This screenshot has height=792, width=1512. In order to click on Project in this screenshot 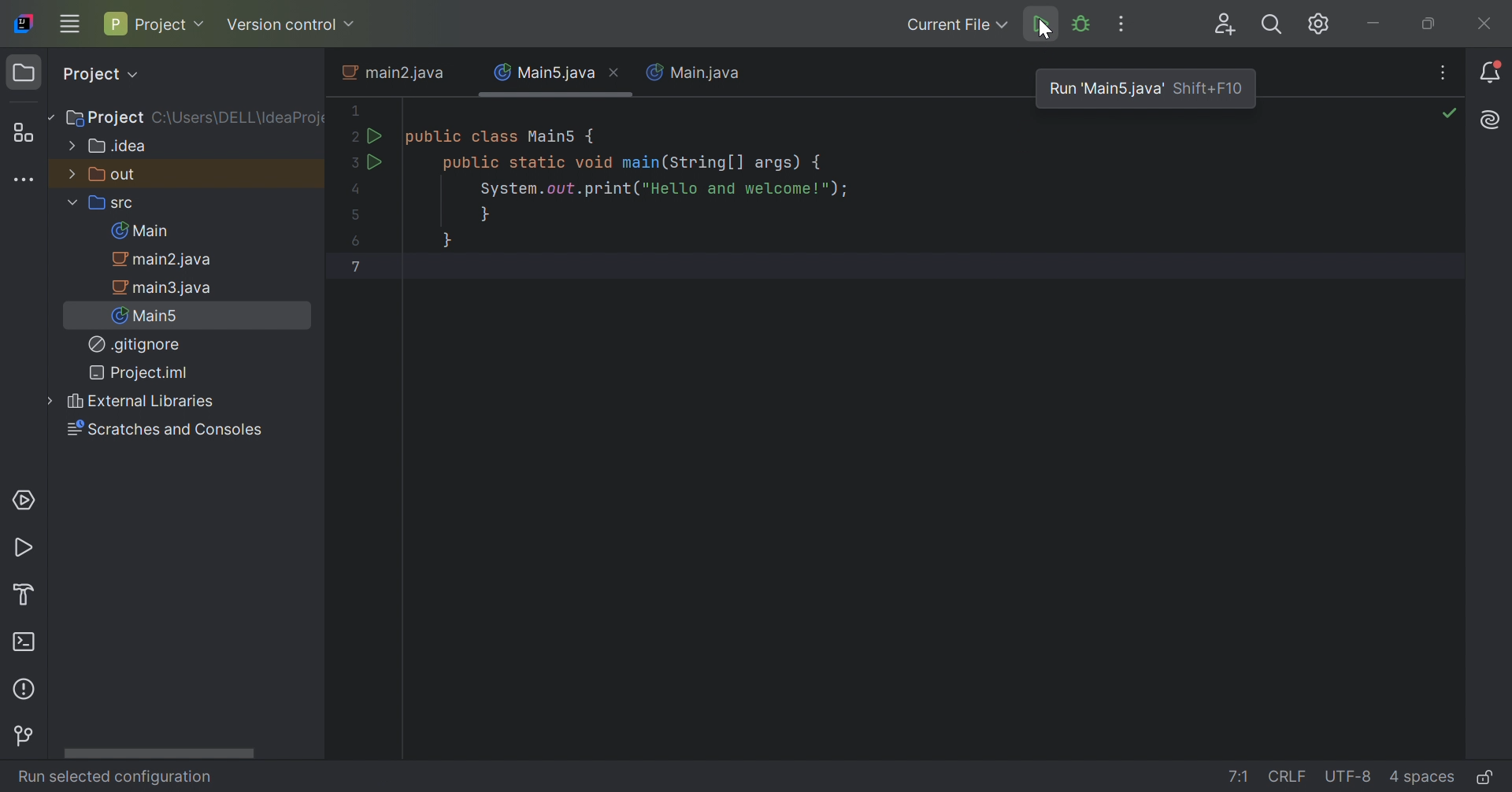, I will do `click(103, 117)`.